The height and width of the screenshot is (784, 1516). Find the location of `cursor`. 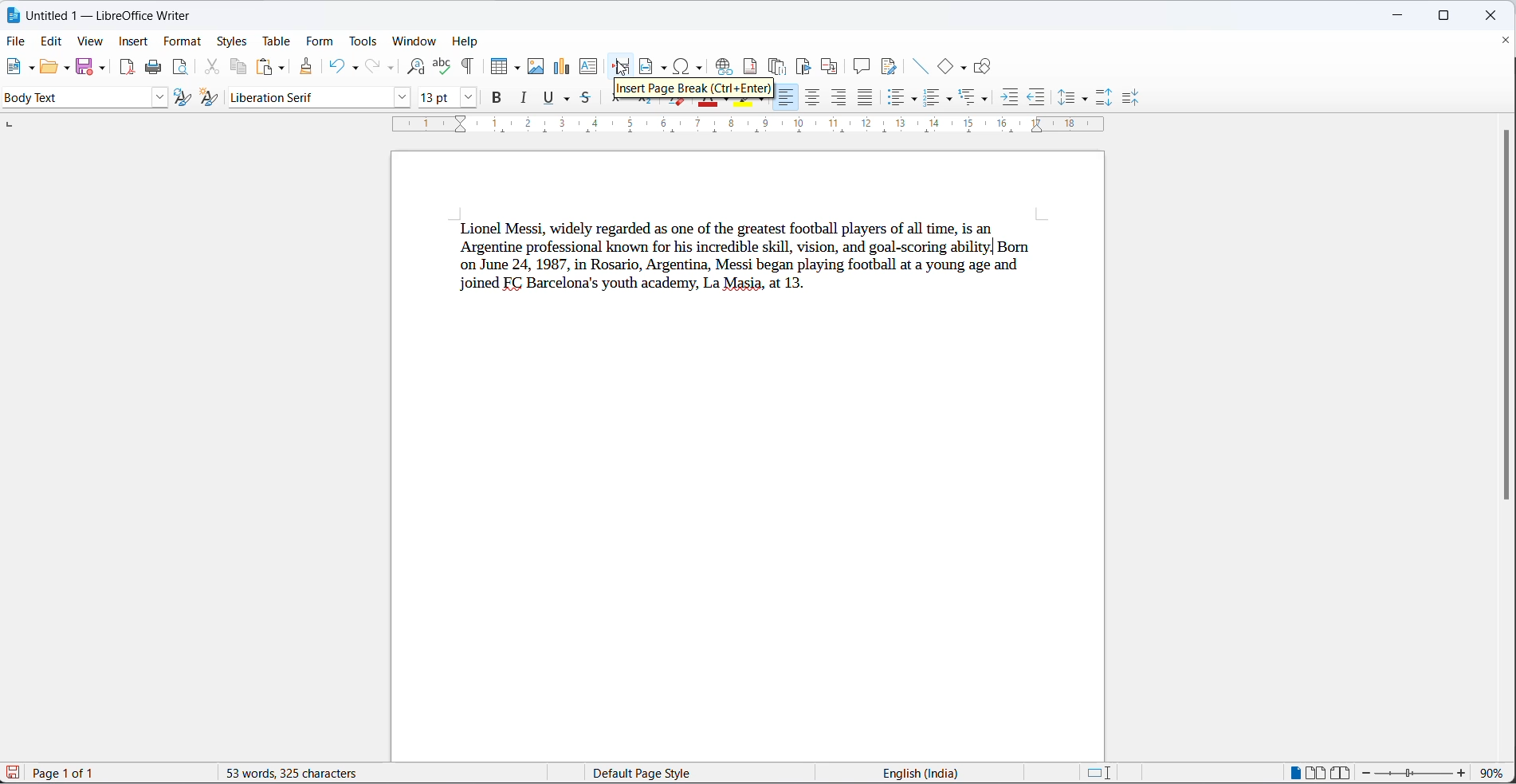

cursor is located at coordinates (621, 69).